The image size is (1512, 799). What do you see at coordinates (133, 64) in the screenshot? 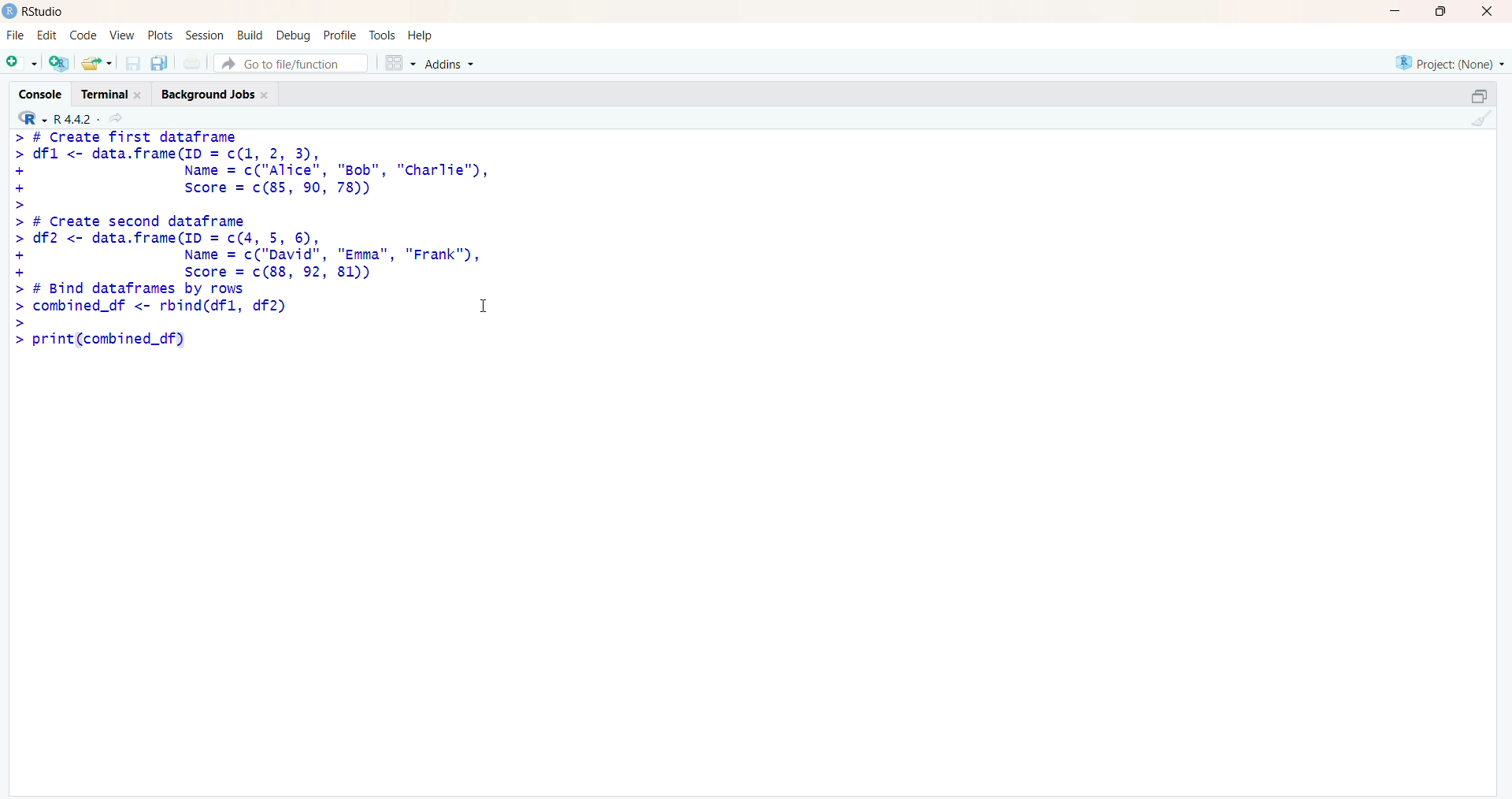
I see `save current document` at bounding box center [133, 64].